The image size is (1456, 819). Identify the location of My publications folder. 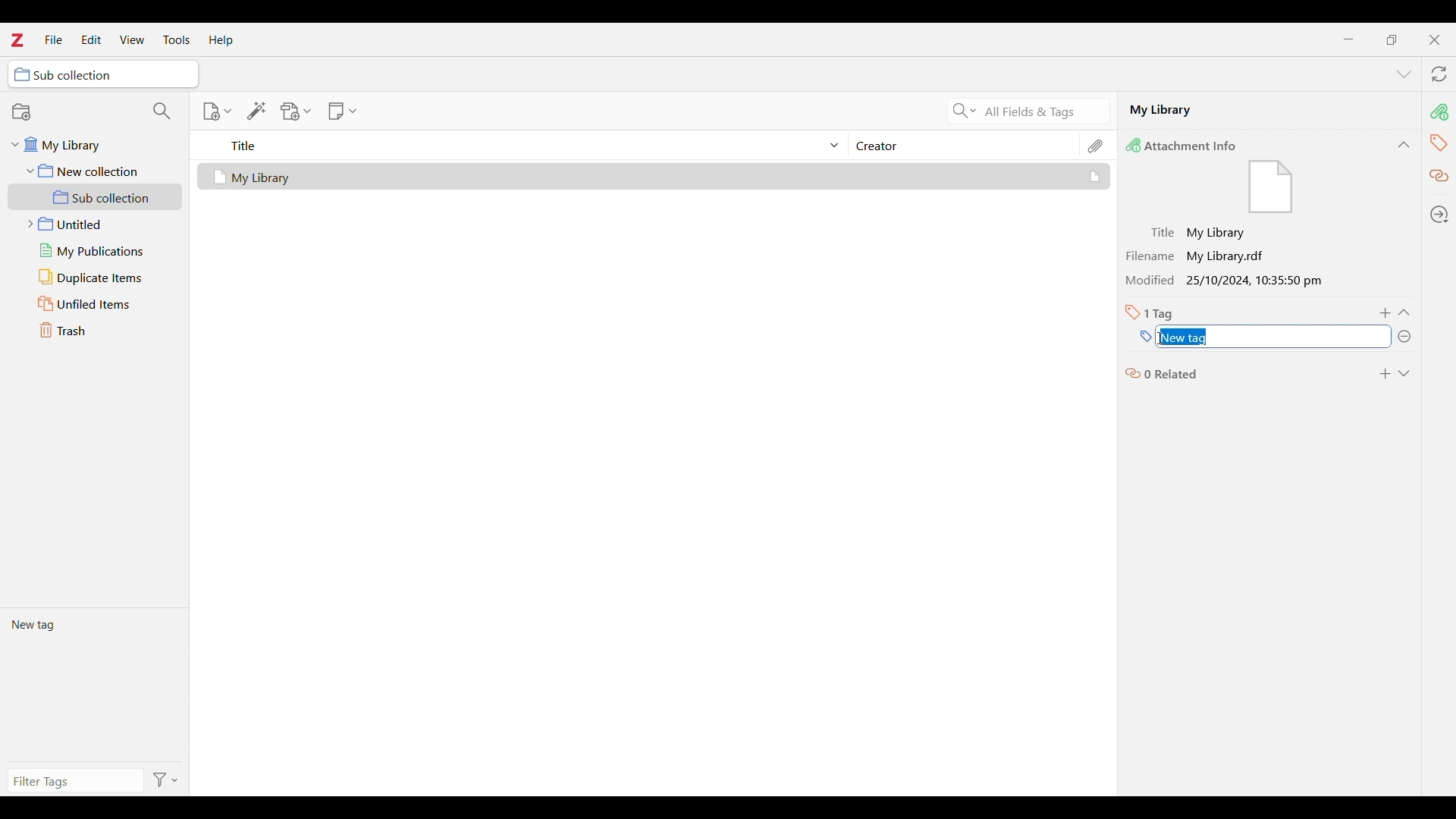
(94, 250).